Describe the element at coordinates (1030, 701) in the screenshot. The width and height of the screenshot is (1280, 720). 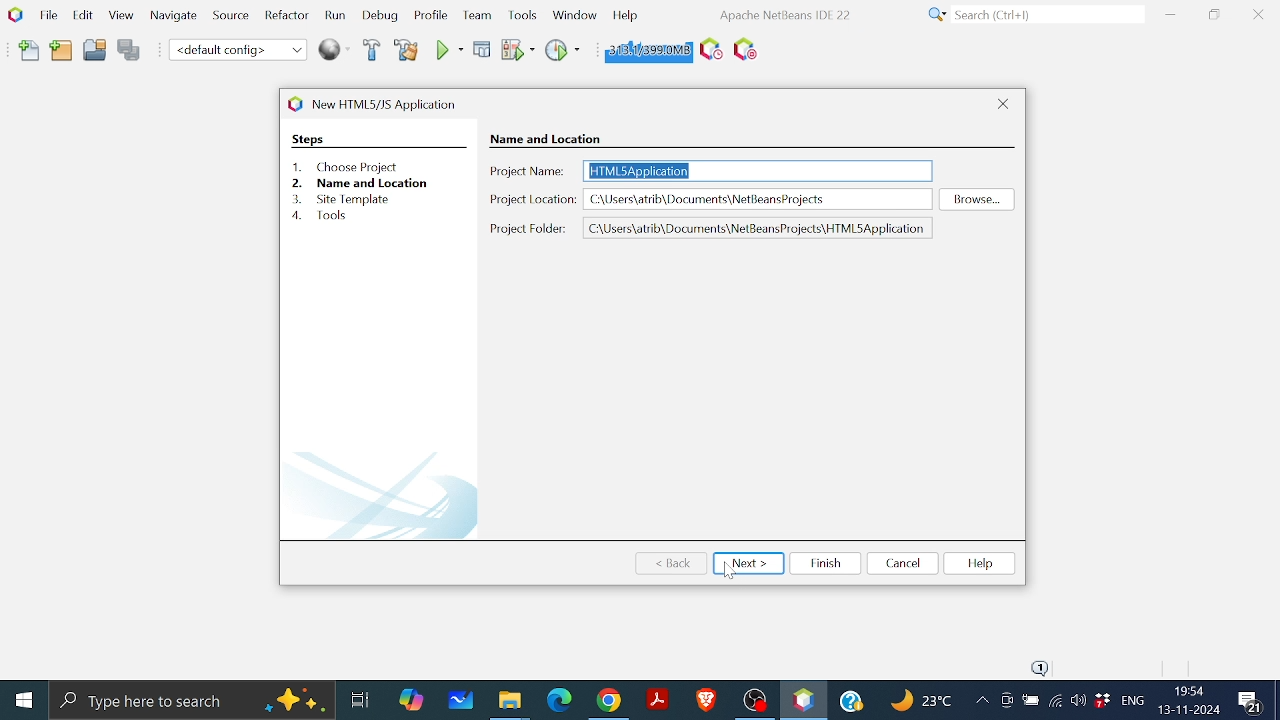
I see `Bettery` at that location.